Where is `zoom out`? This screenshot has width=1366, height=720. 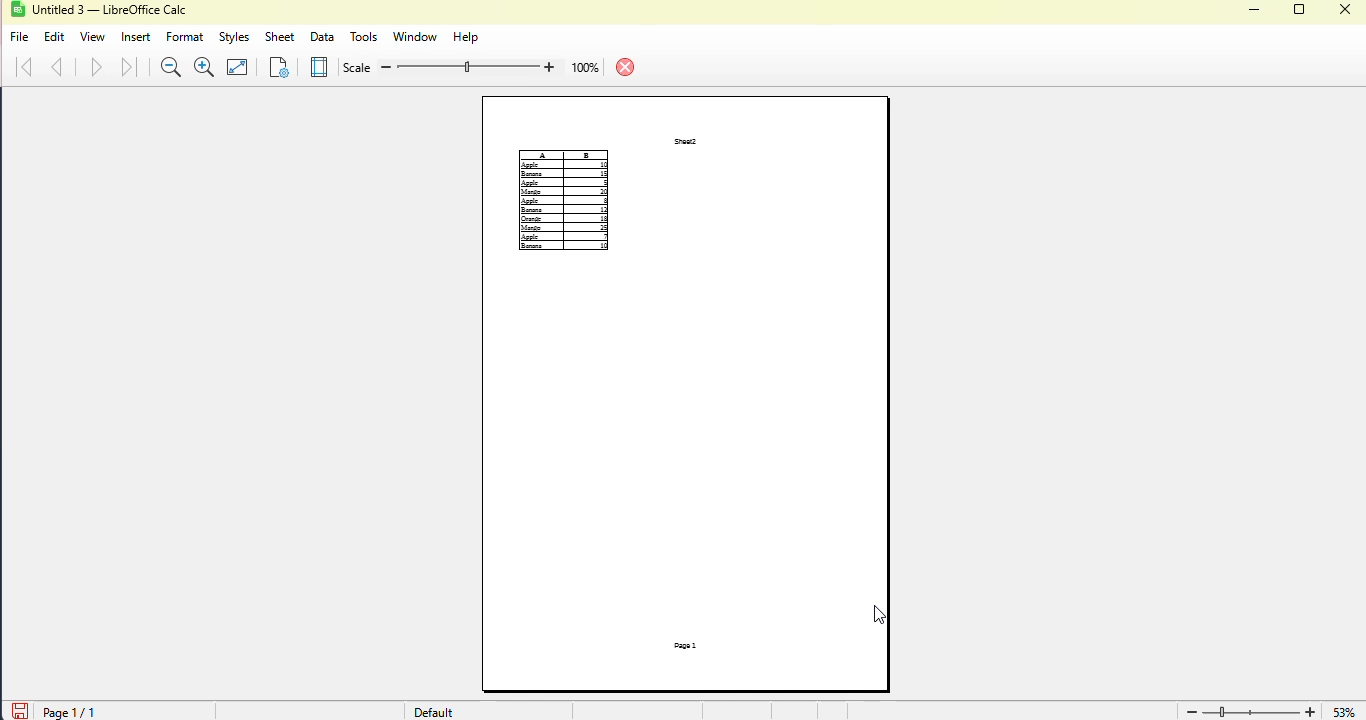
zoom out is located at coordinates (1190, 712).